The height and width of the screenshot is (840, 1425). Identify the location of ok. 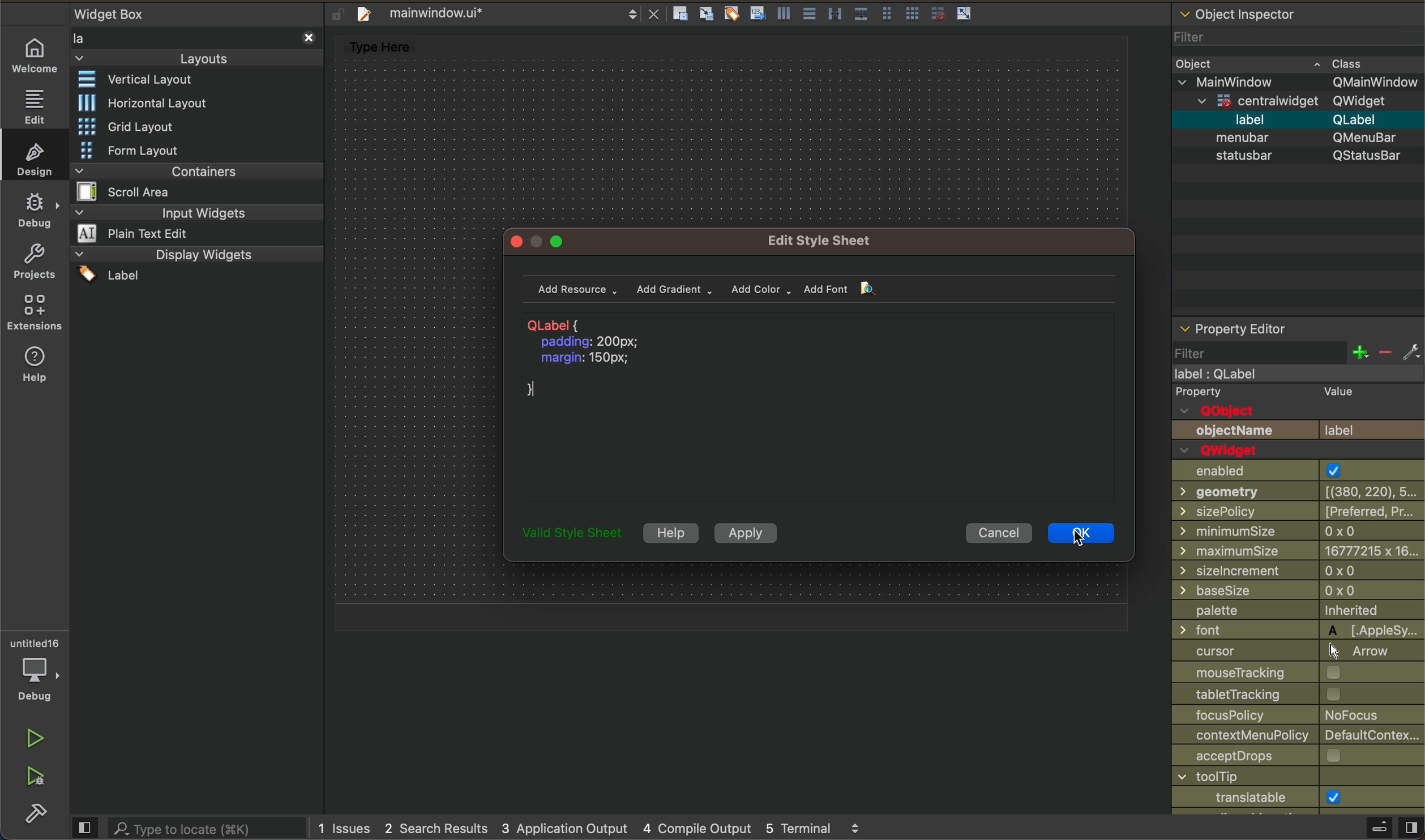
(1080, 533).